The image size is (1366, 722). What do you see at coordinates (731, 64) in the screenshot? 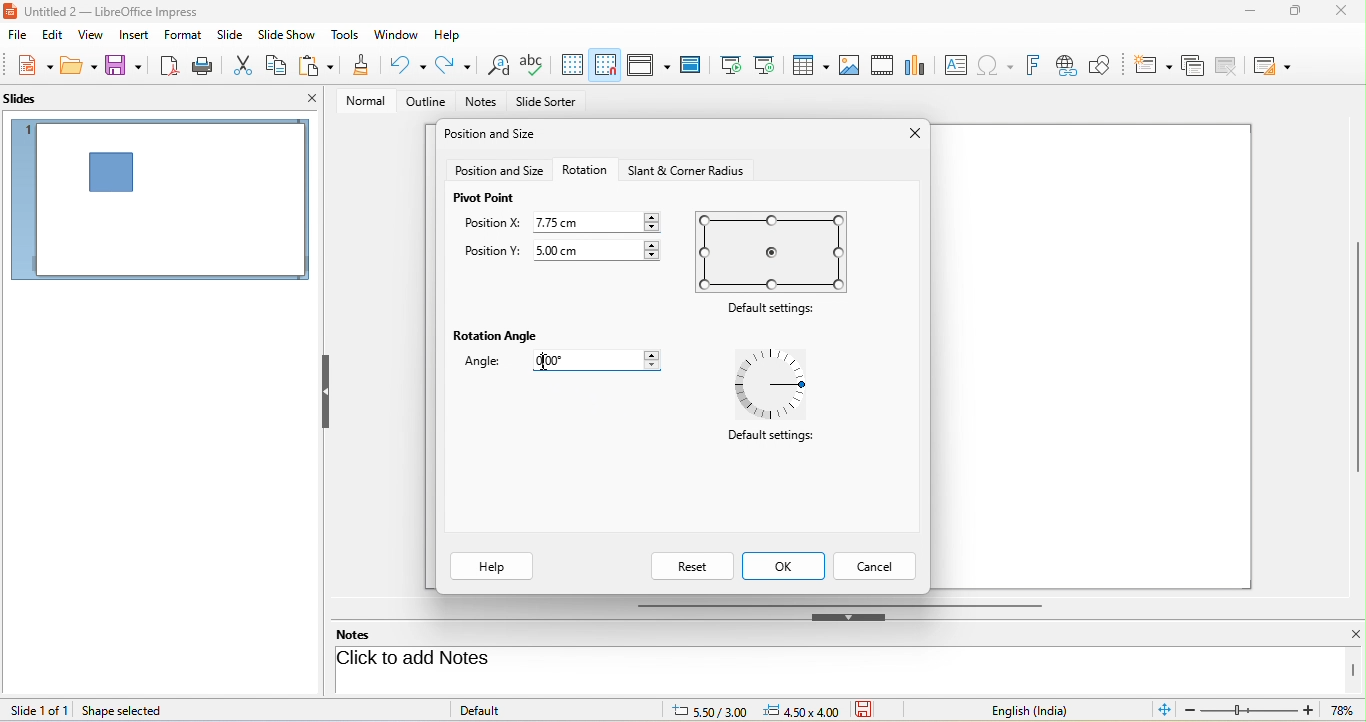
I see `start from first slide ` at bounding box center [731, 64].